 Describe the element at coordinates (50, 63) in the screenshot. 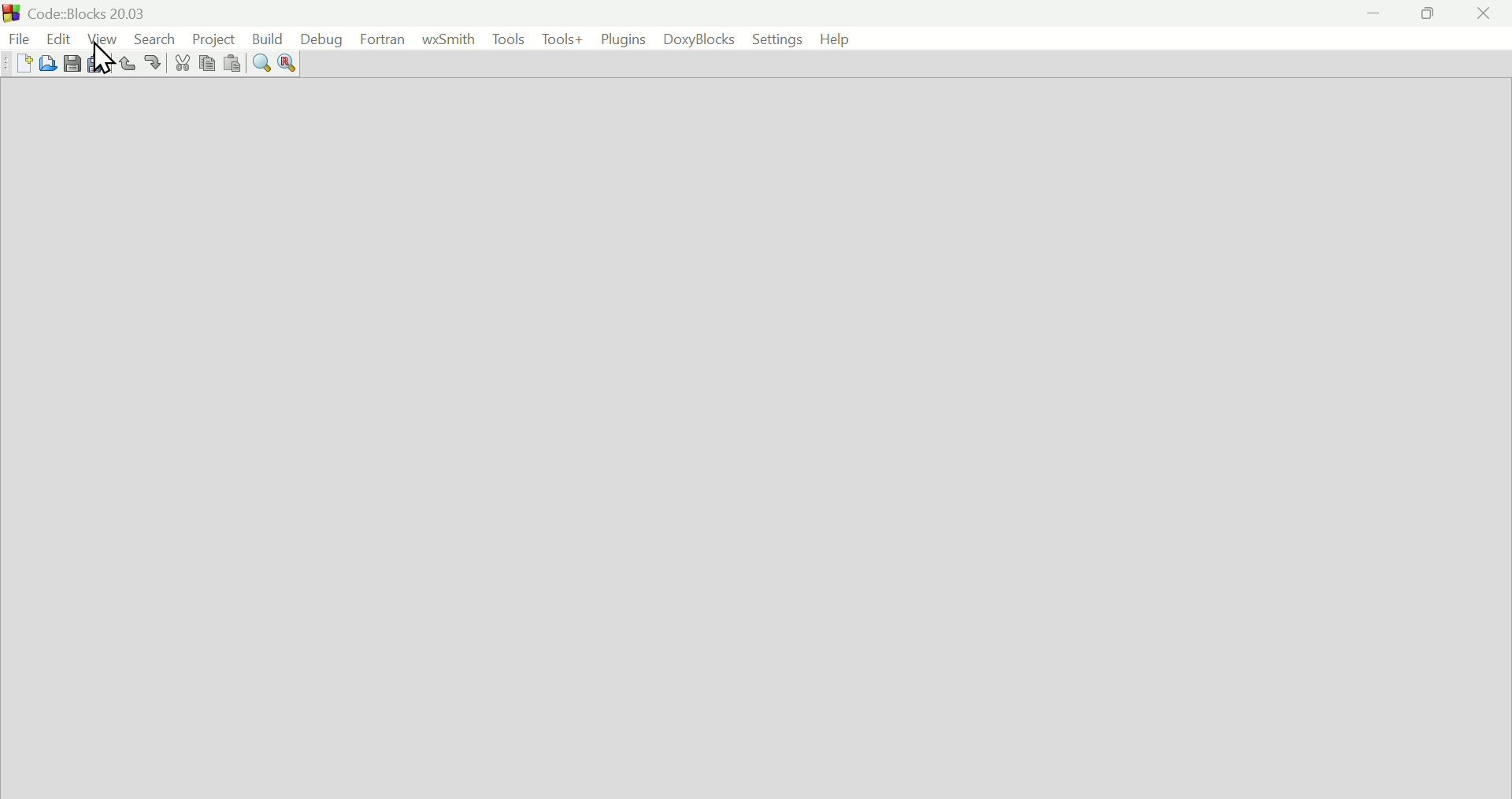

I see `Open file` at that location.